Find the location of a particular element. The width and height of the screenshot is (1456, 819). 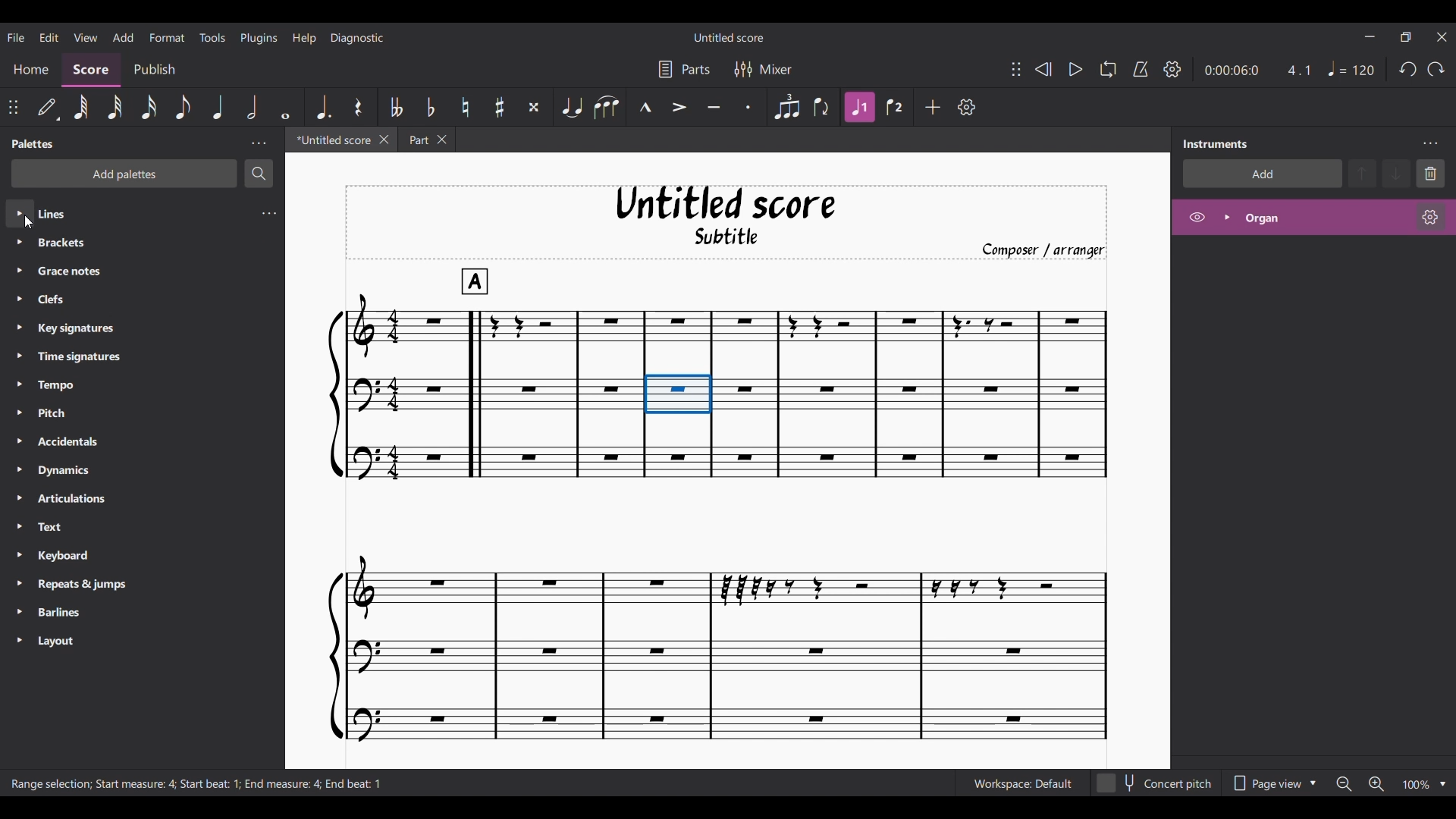

Add menu is located at coordinates (123, 36).